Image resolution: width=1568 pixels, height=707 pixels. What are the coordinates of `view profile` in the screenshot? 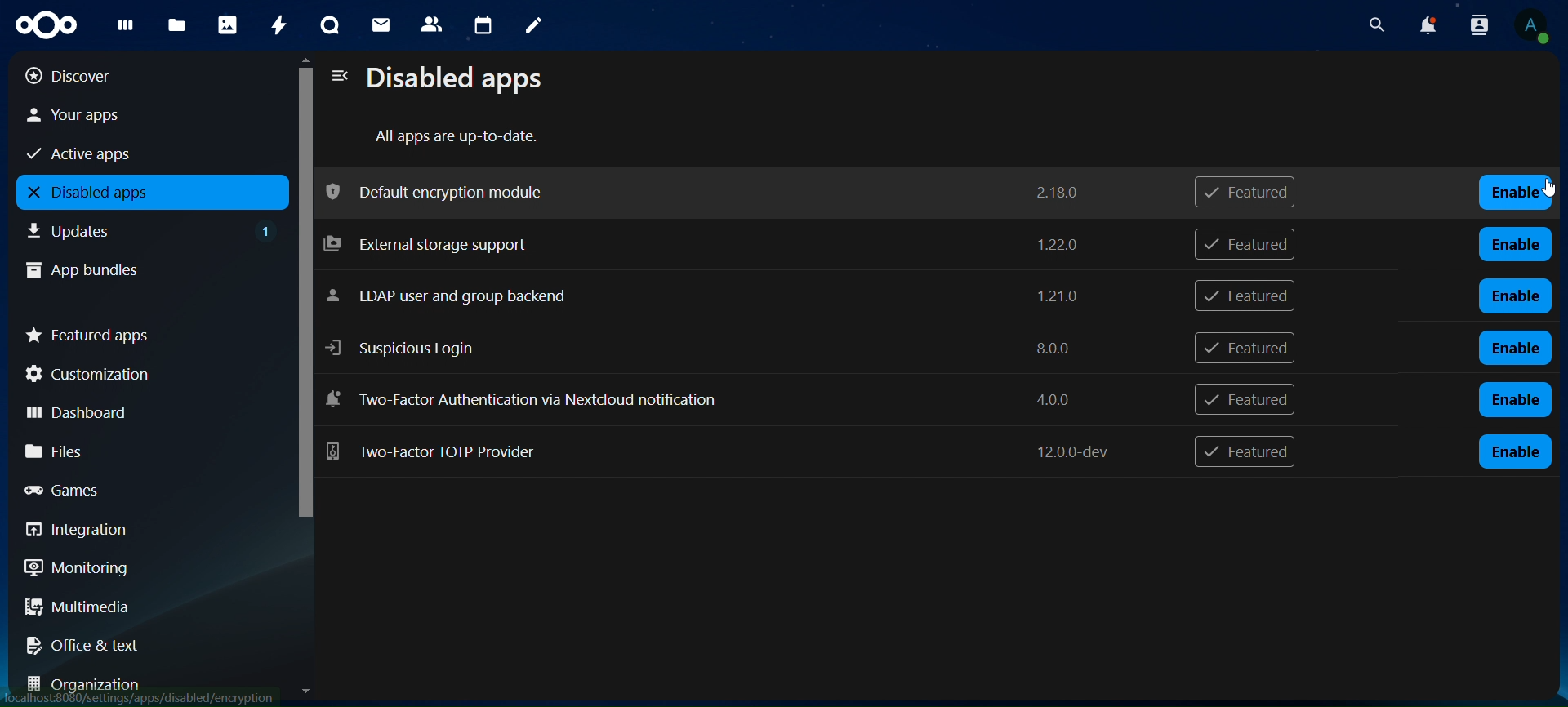 It's located at (1534, 26).